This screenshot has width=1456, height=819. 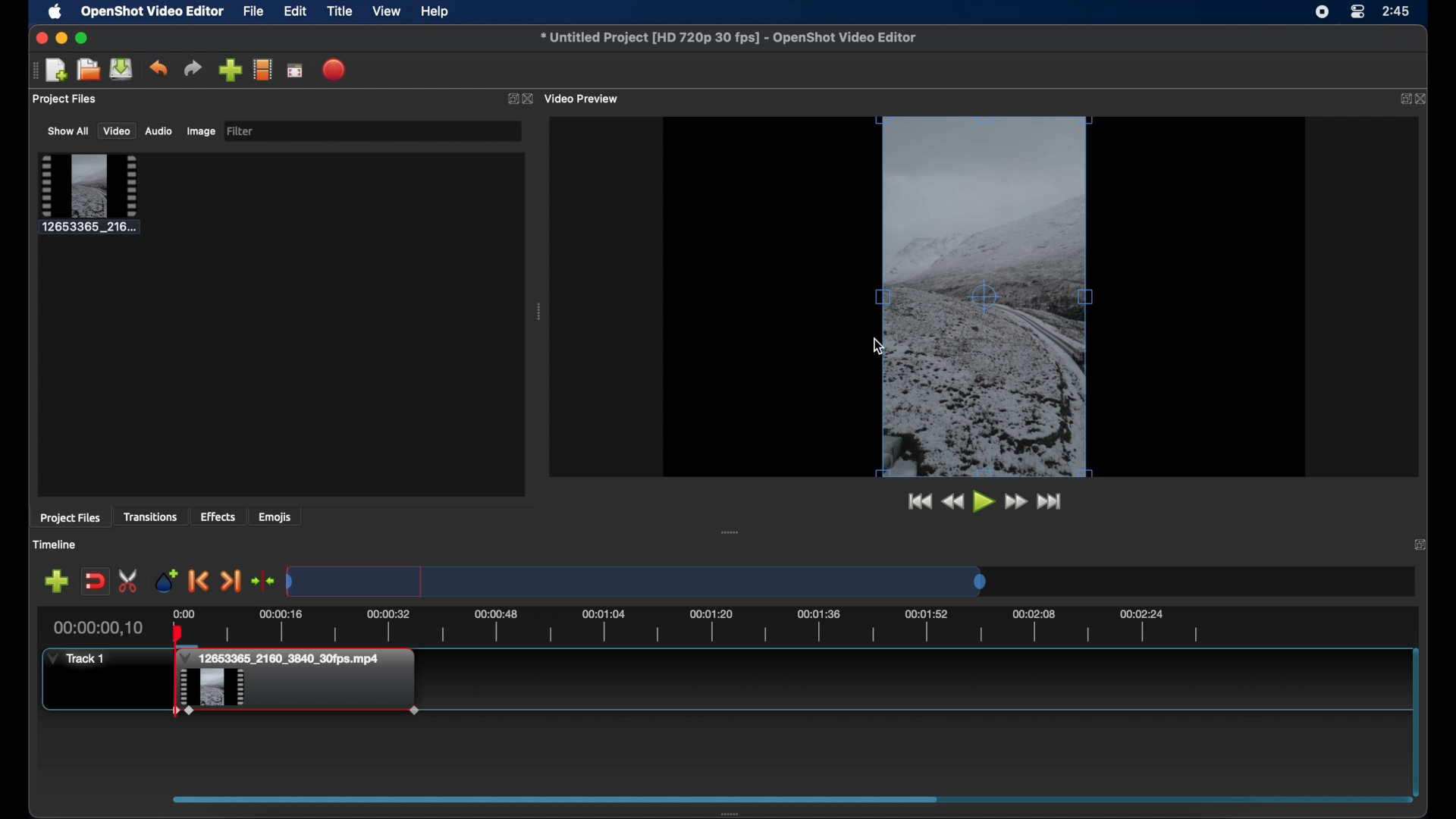 What do you see at coordinates (986, 297) in the screenshot?
I see `preview` at bounding box center [986, 297].